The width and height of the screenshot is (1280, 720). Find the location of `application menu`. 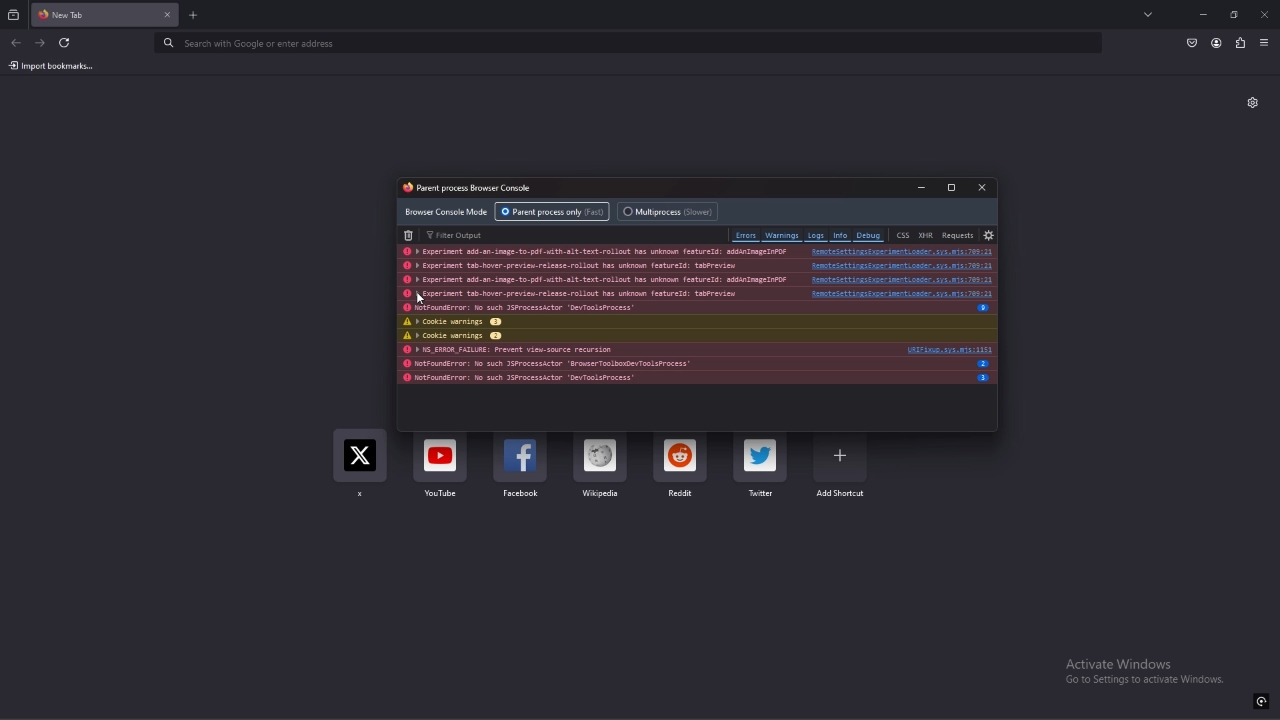

application menu is located at coordinates (1266, 44).